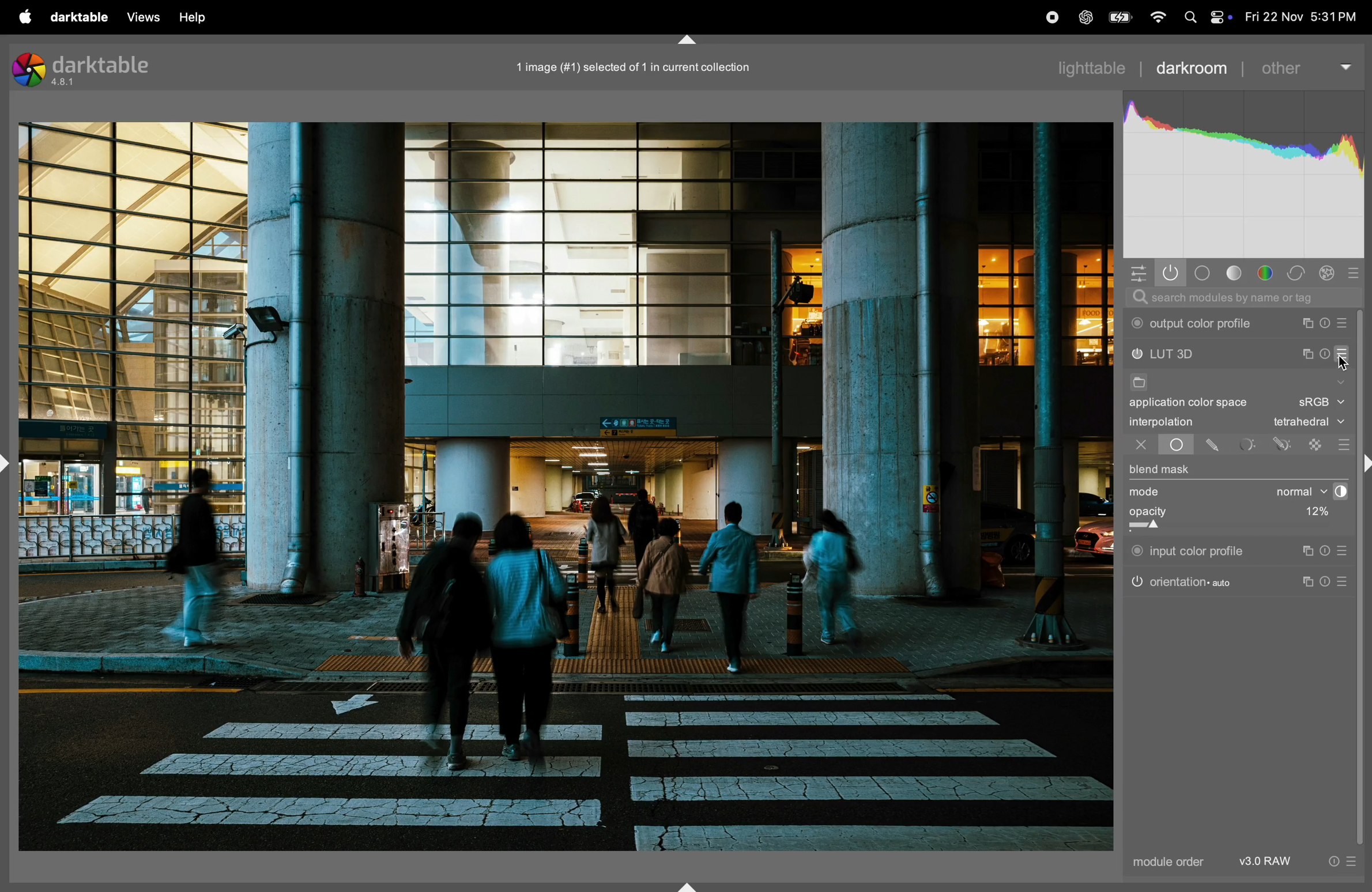 The width and height of the screenshot is (1372, 892). I want to click on searchbar, so click(1242, 298).